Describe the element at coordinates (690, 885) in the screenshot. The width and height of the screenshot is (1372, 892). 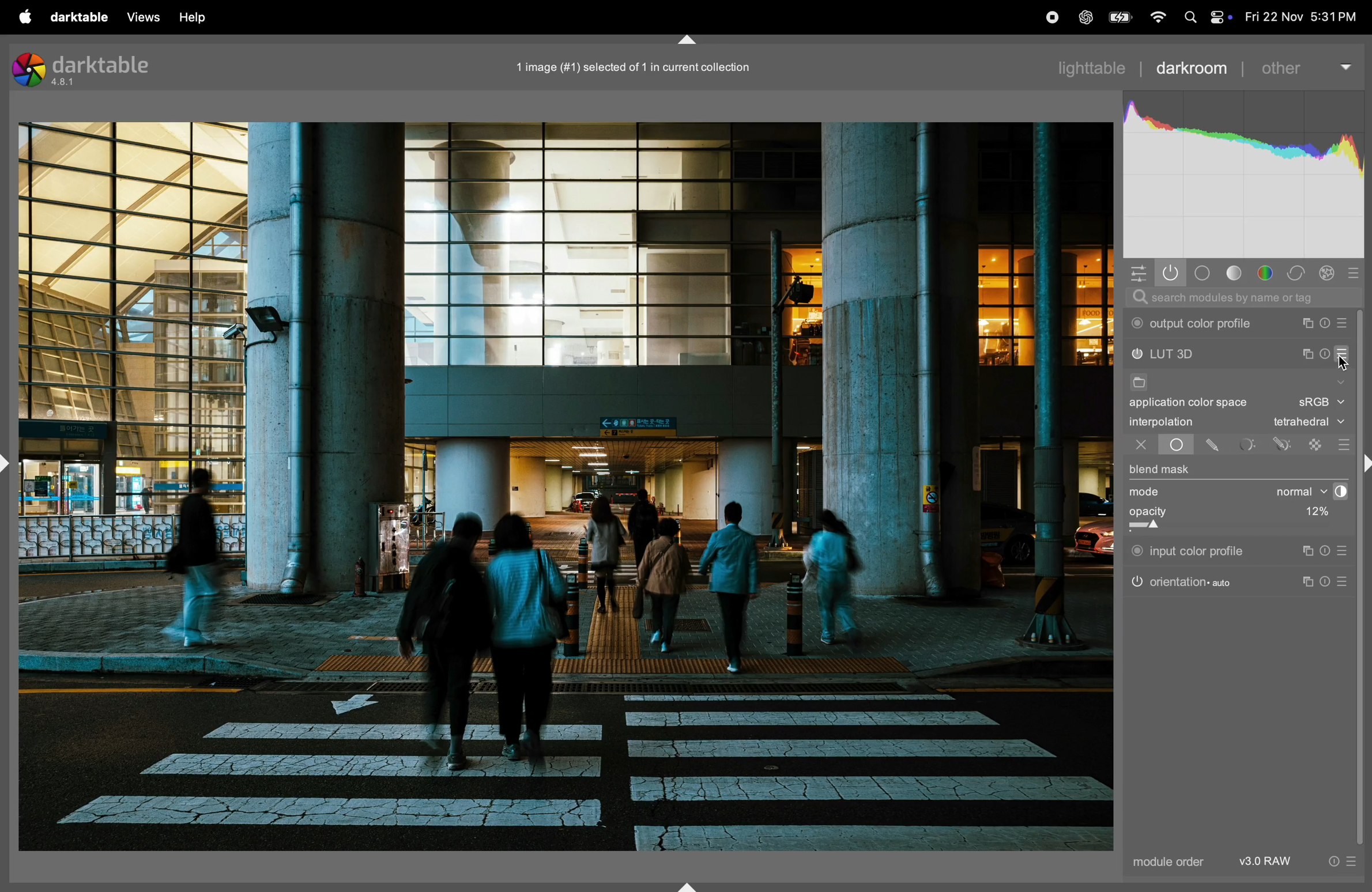
I see `shift+ctrl+b` at that location.